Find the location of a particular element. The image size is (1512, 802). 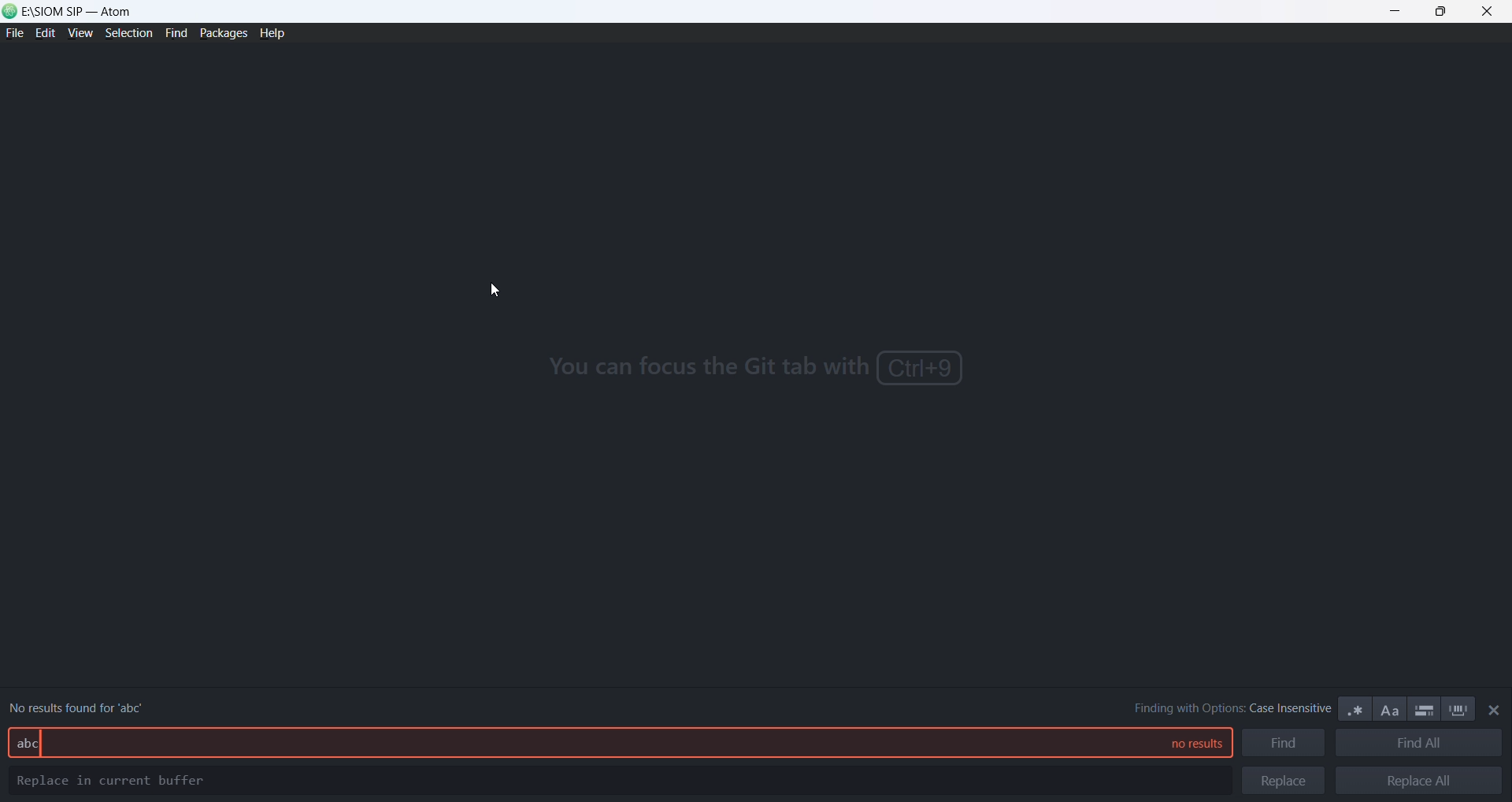

help is located at coordinates (276, 35).